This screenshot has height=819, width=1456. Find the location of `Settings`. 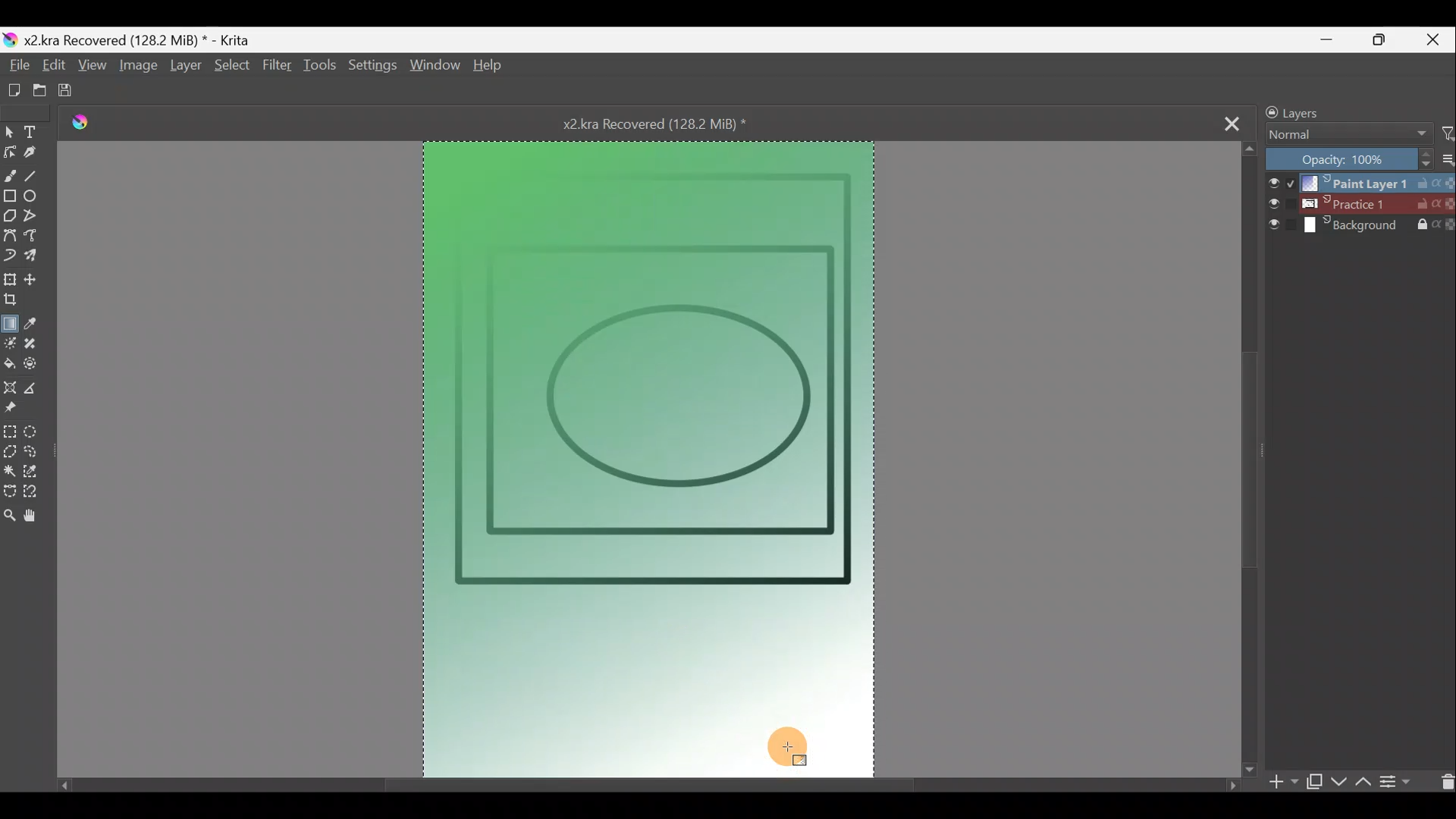

Settings is located at coordinates (374, 70).